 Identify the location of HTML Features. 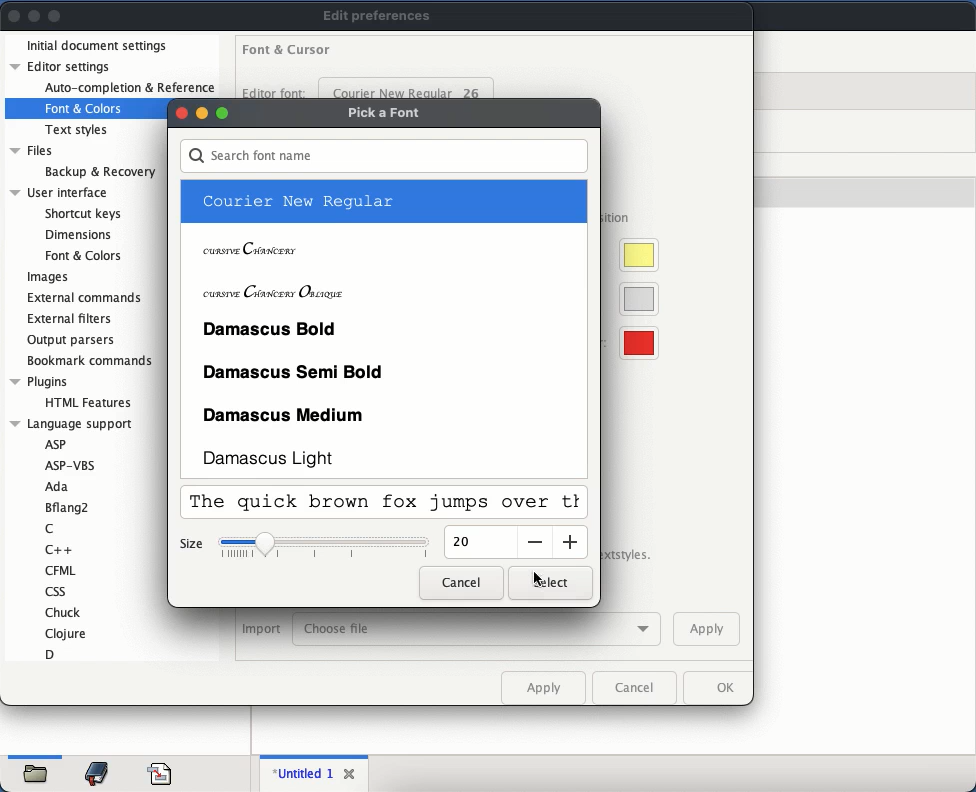
(89, 402).